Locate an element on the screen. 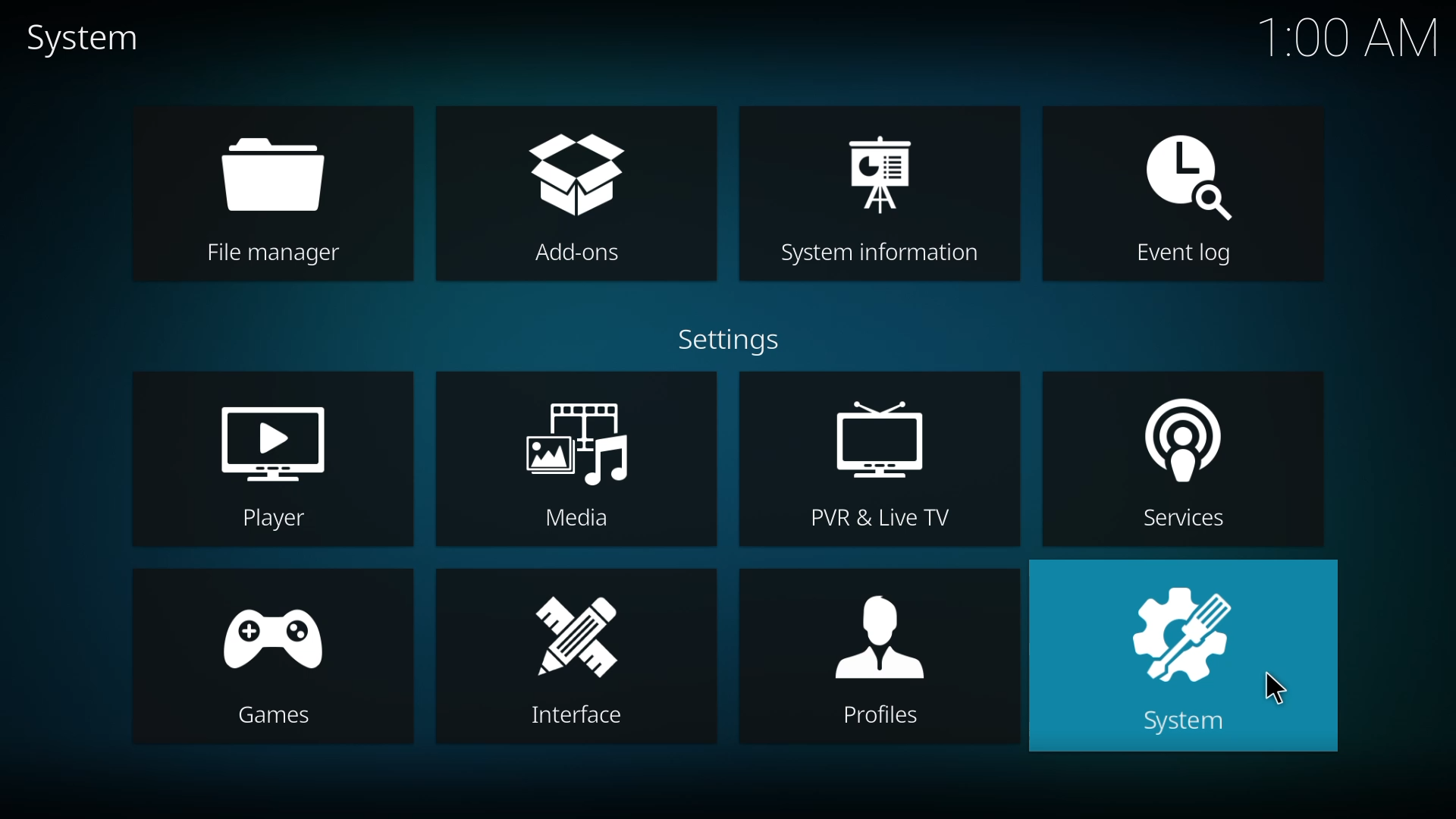 The image size is (1456, 819). services is located at coordinates (1181, 469).